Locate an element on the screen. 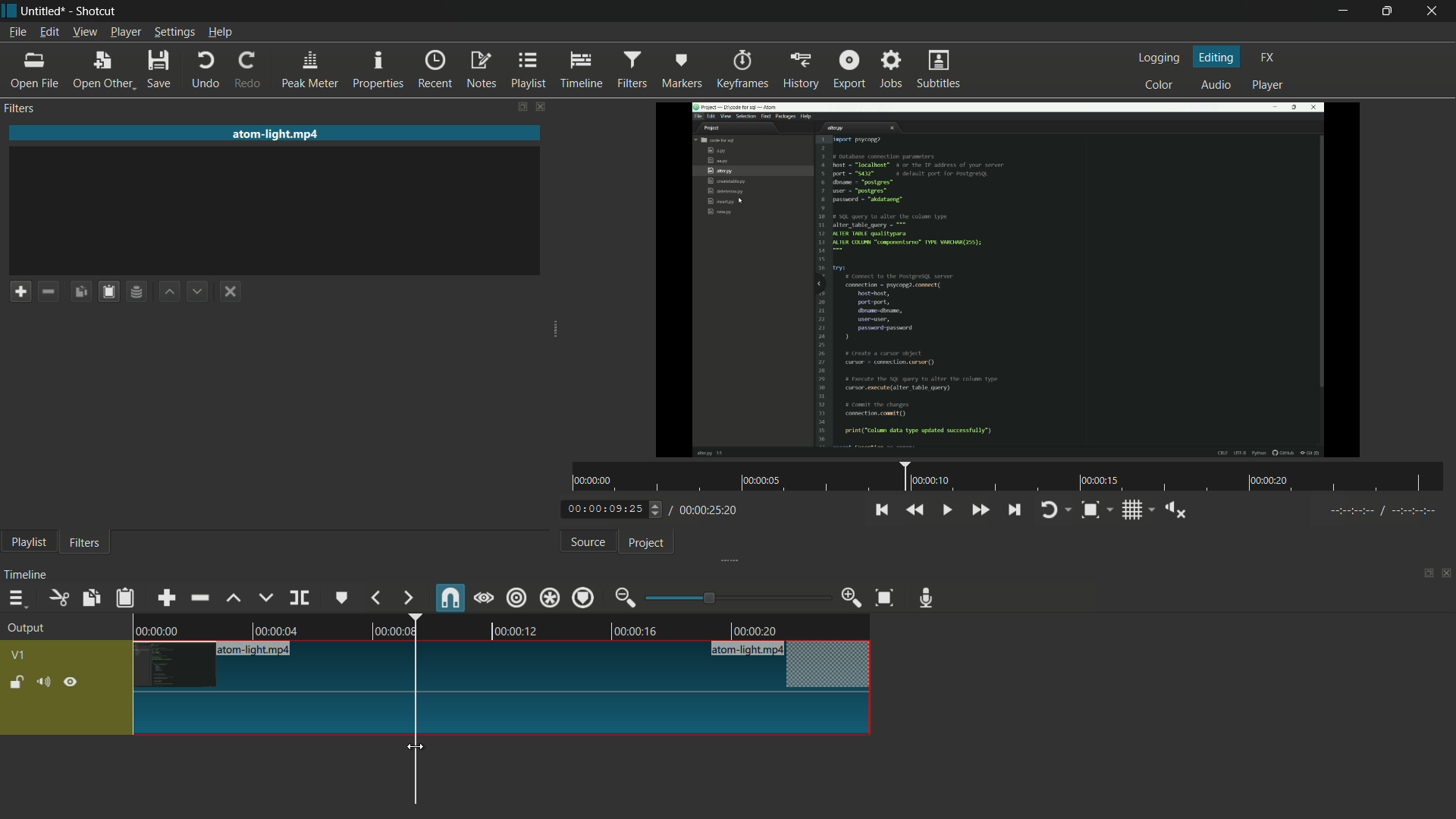 This screenshot has height=819, width=1456. copy checked filters is located at coordinates (84, 290).